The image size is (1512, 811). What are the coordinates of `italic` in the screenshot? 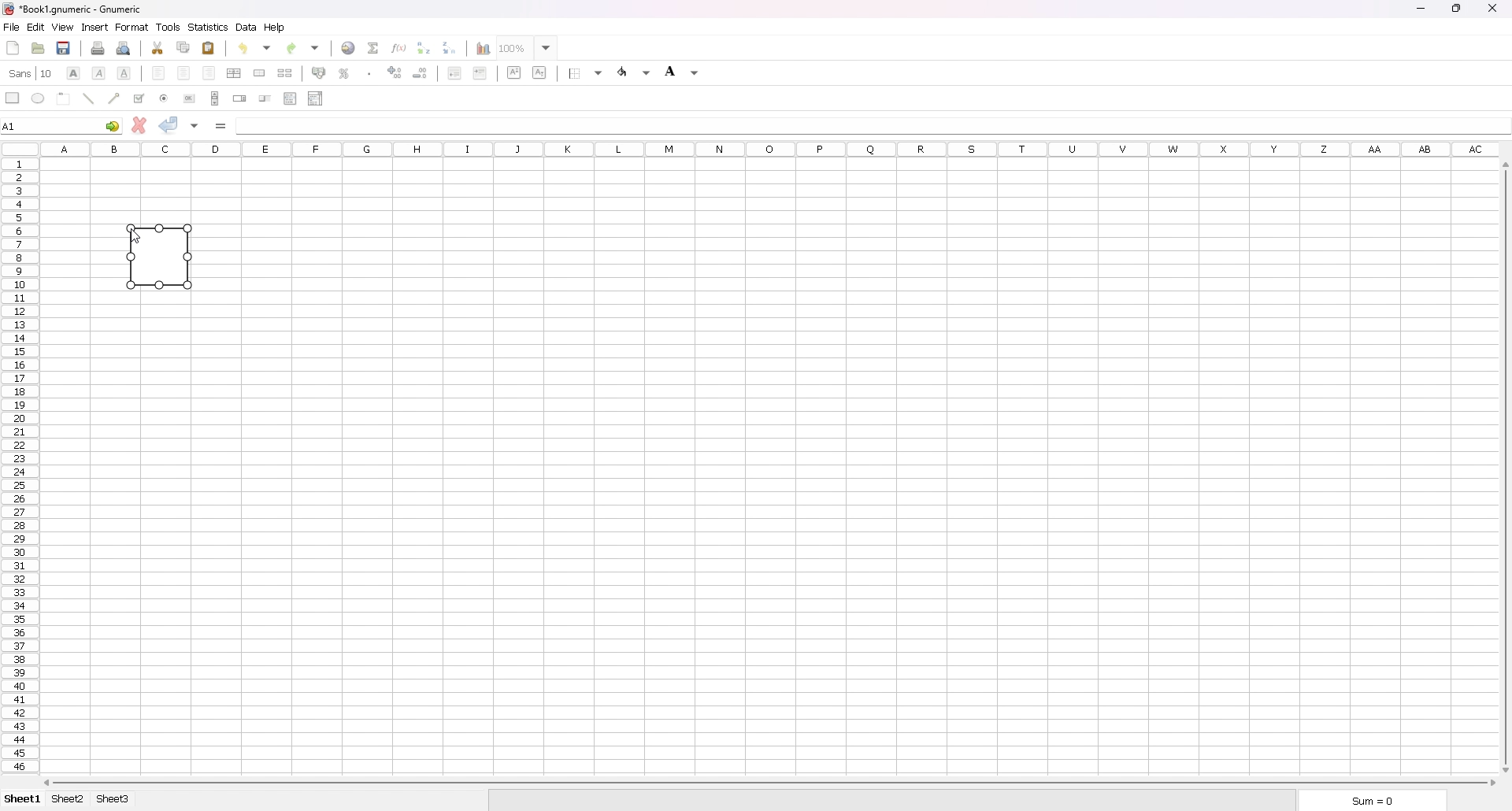 It's located at (99, 73).